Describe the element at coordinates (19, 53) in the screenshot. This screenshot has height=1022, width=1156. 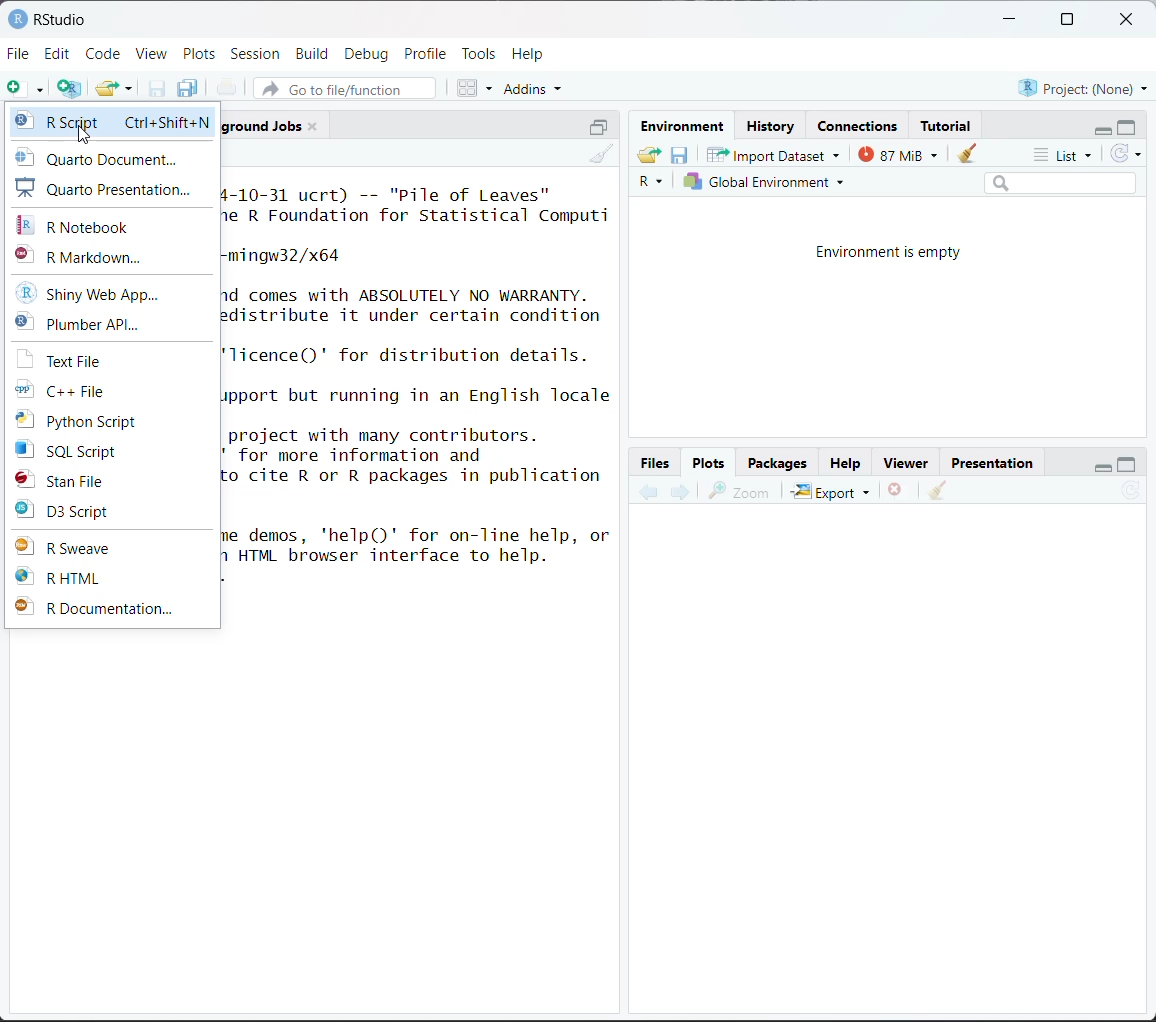
I see `File` at that location.